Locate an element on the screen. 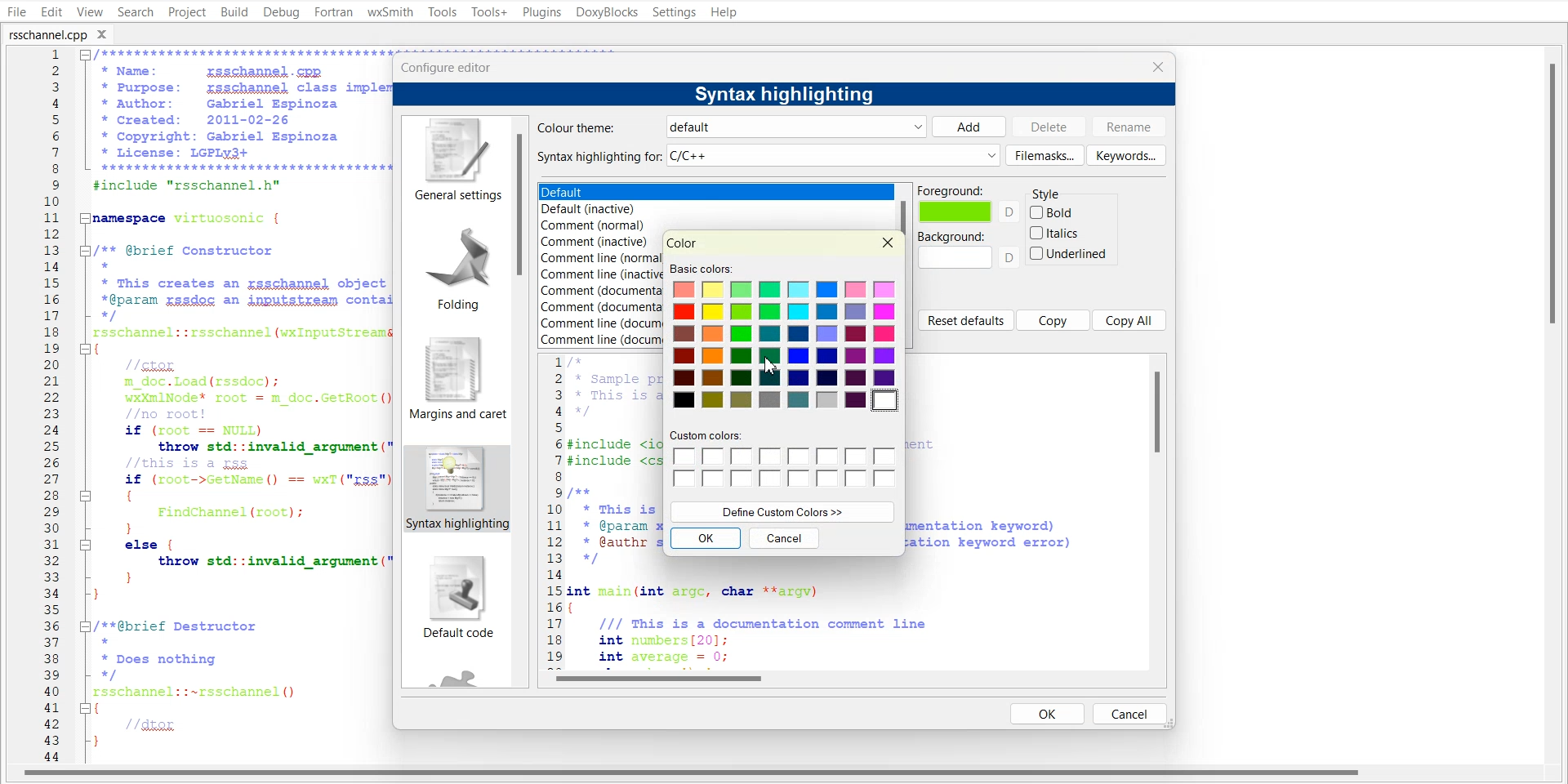 The image size is (1568, 784). Bold is located at coordinates (1053, 212).